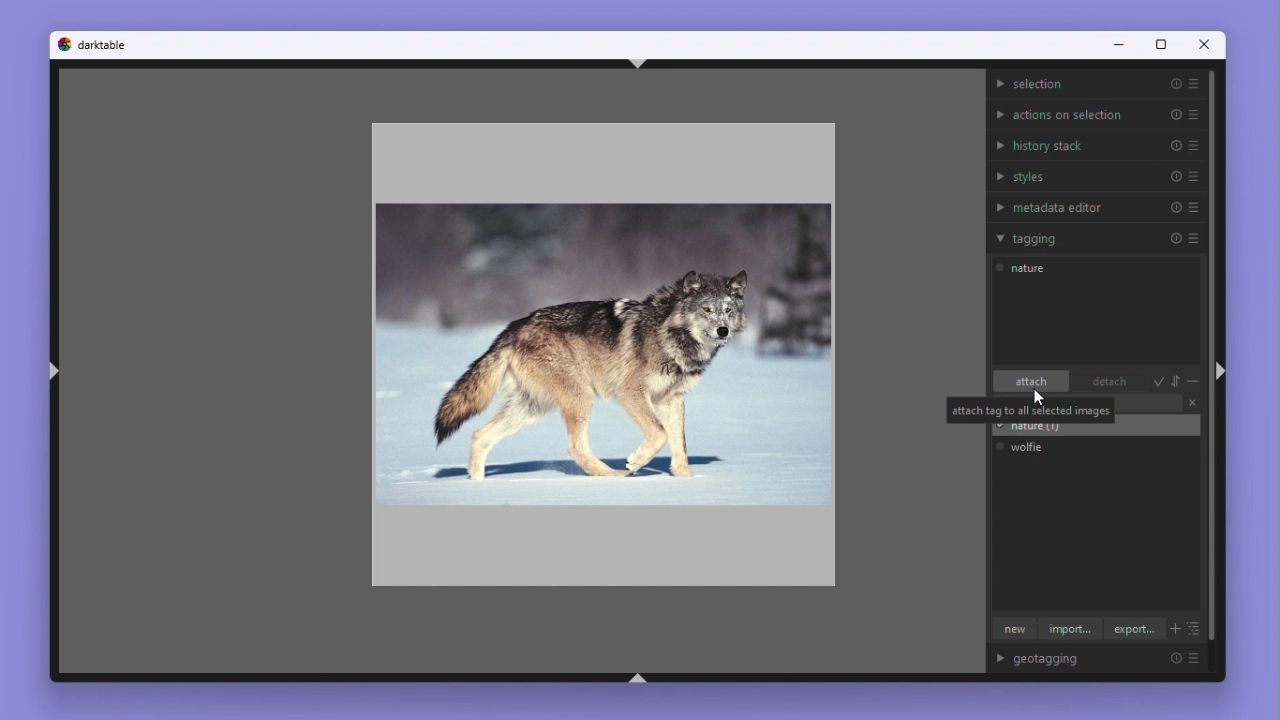 The image size is (1280, 720). I want to click on History stack, so click(1096, 144).